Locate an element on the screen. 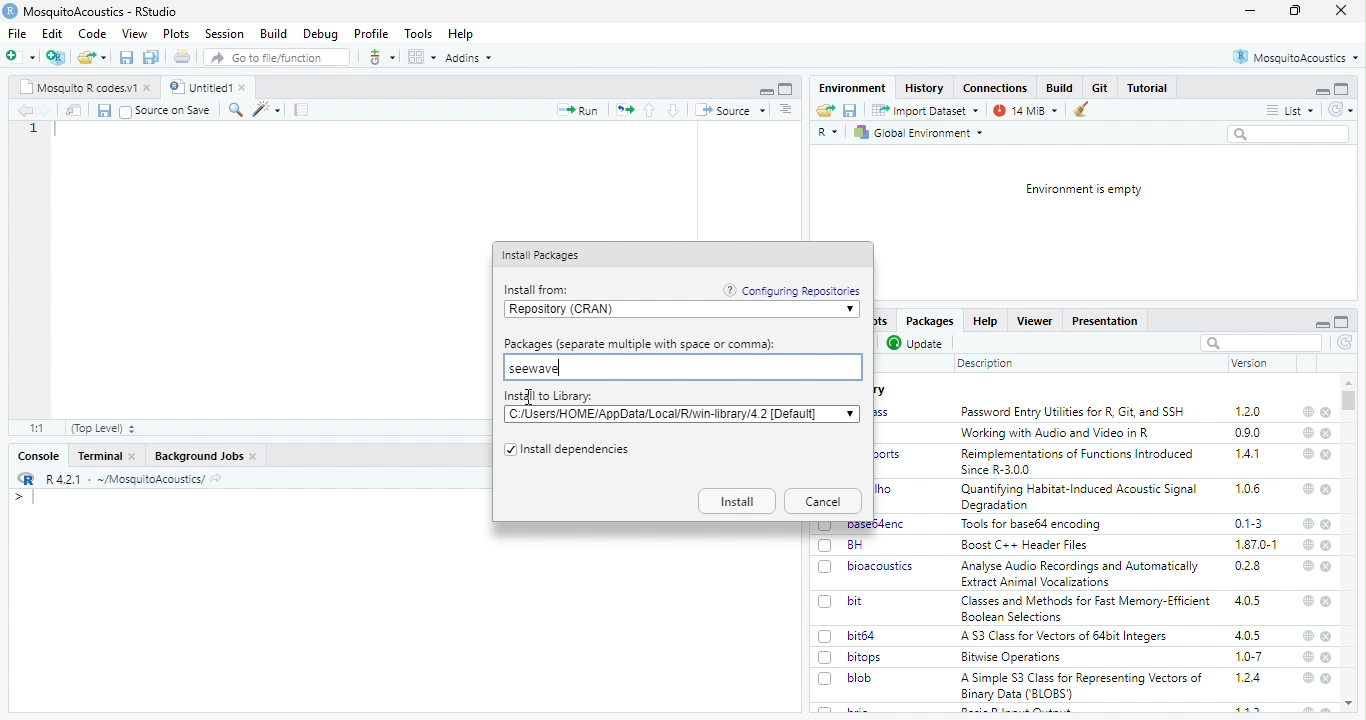  Repository (CRAN) is located at coordinates (674, 310).